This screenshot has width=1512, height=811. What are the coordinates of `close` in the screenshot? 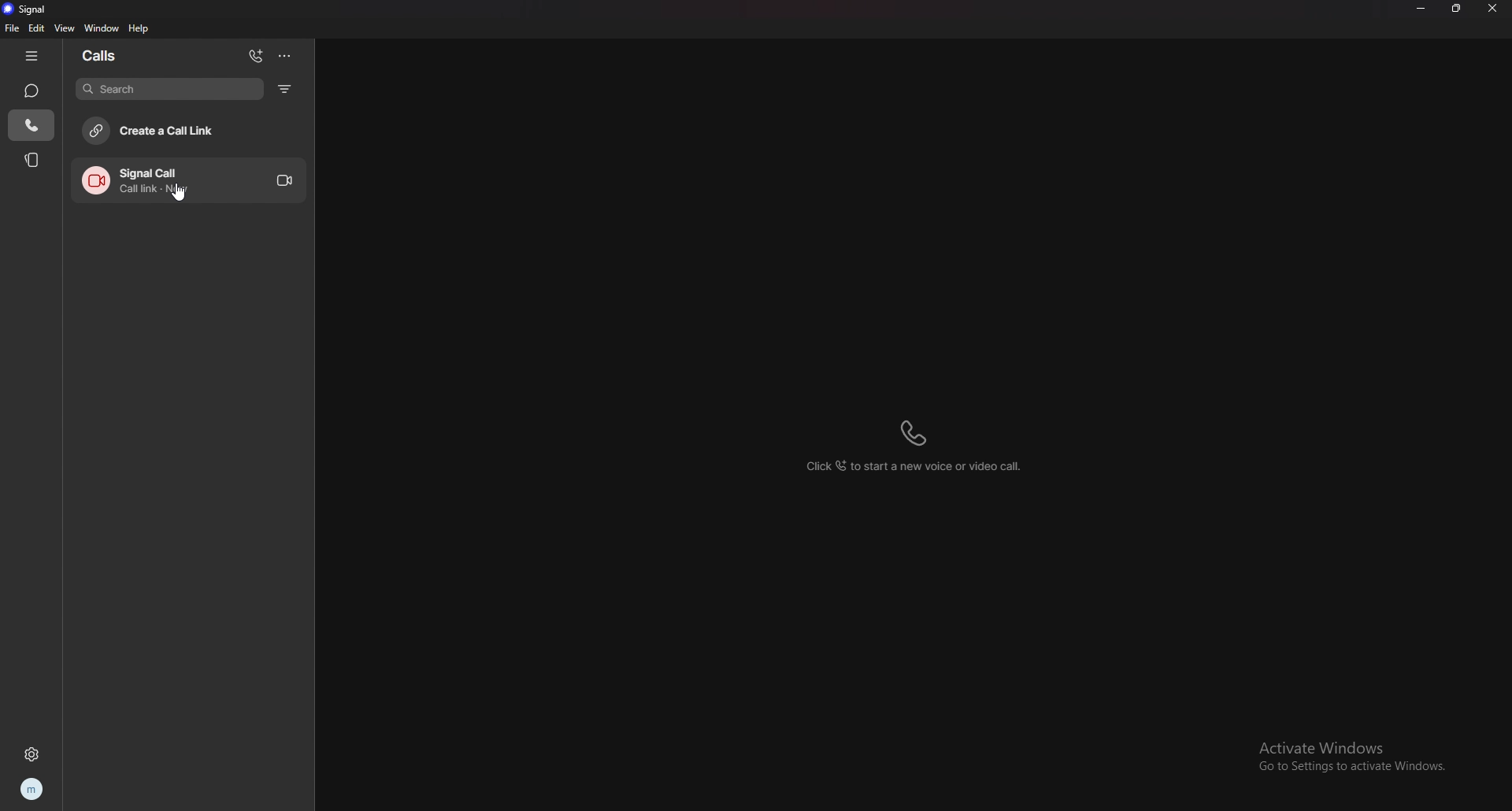 It's located at (1495, 9).